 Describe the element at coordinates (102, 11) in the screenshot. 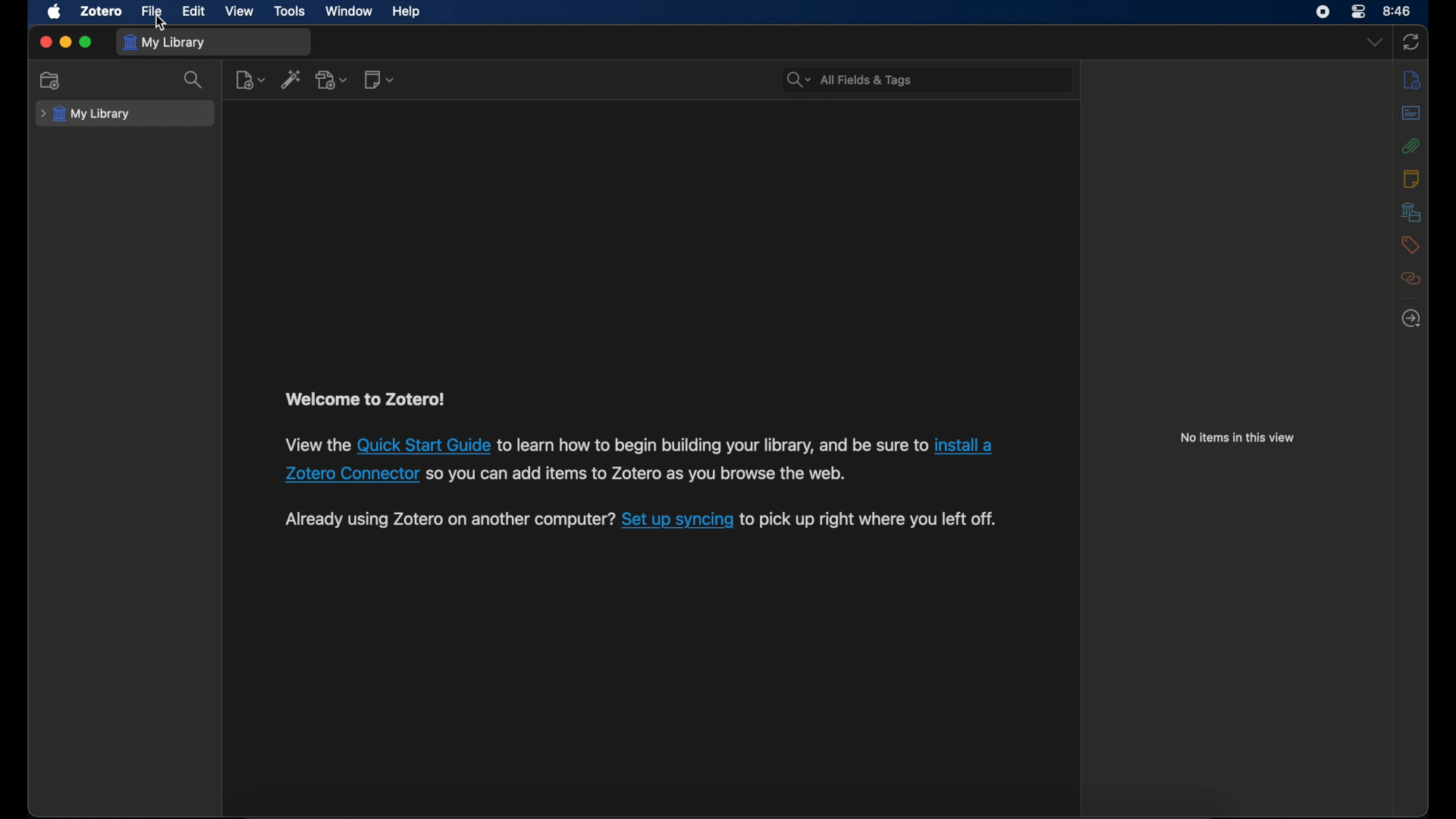

I see `zotero` at that location.